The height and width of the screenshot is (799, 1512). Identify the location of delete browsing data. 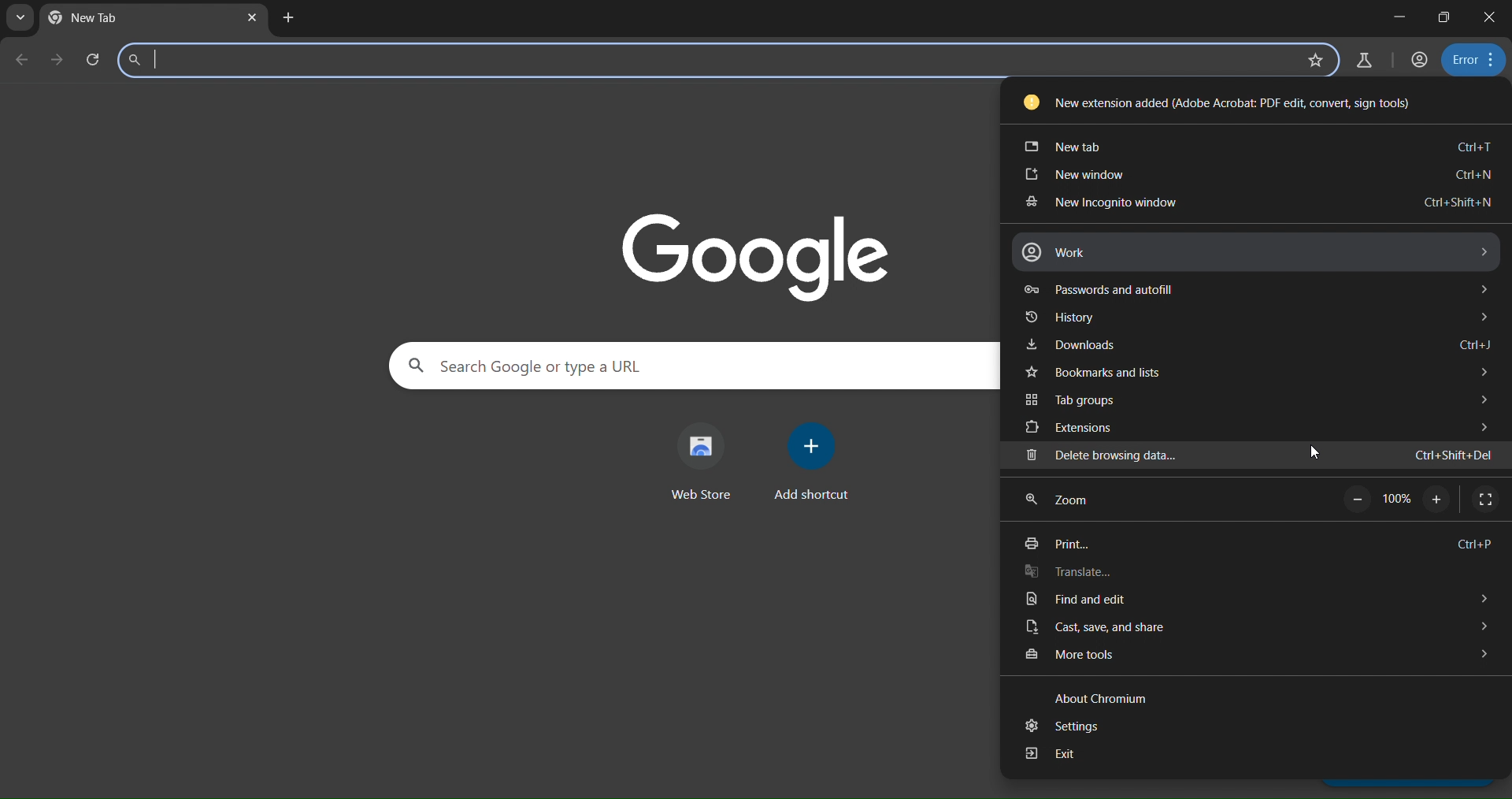
(1254, 456).